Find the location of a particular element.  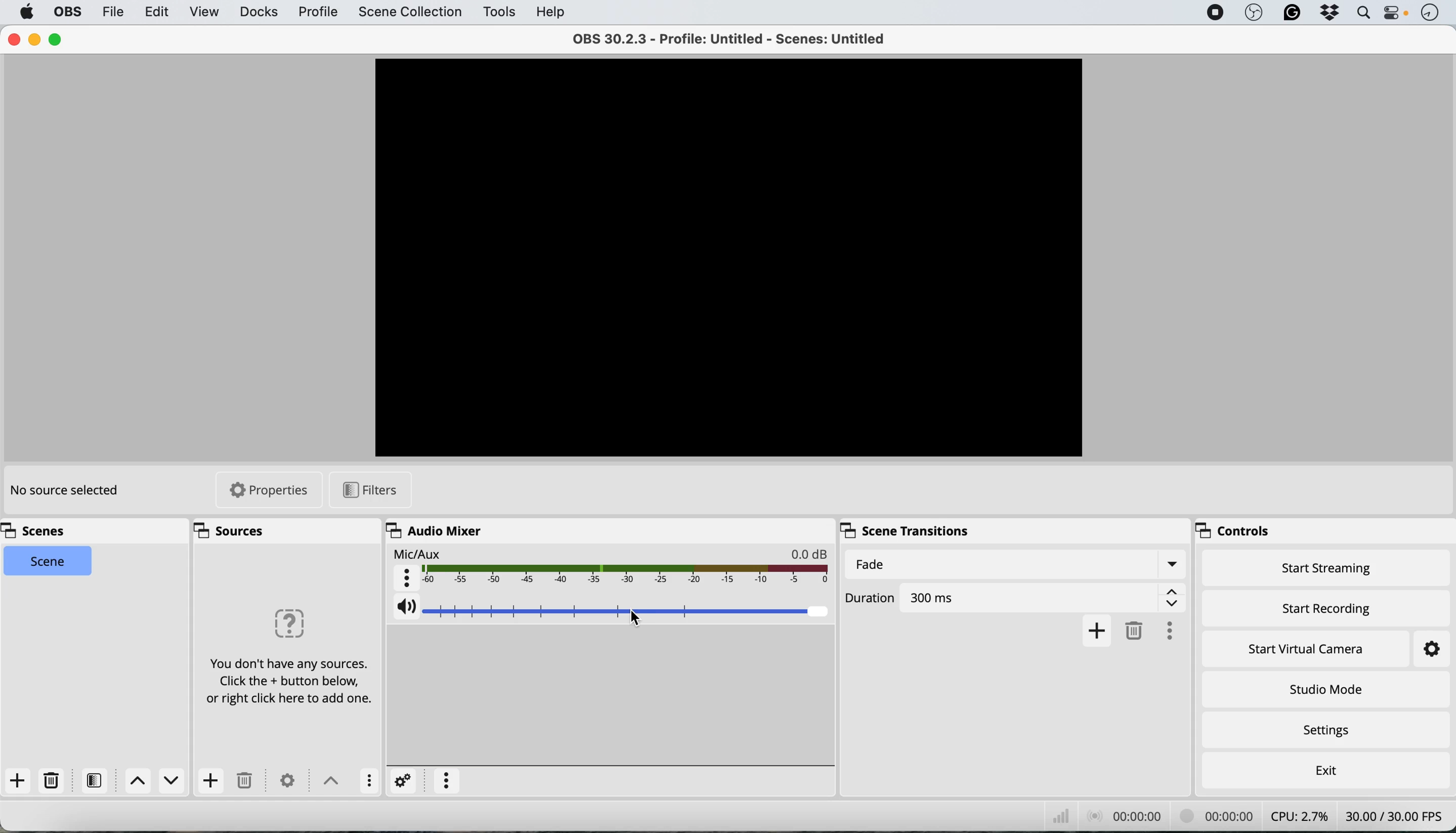

time is located at coordinates (1433, 13).